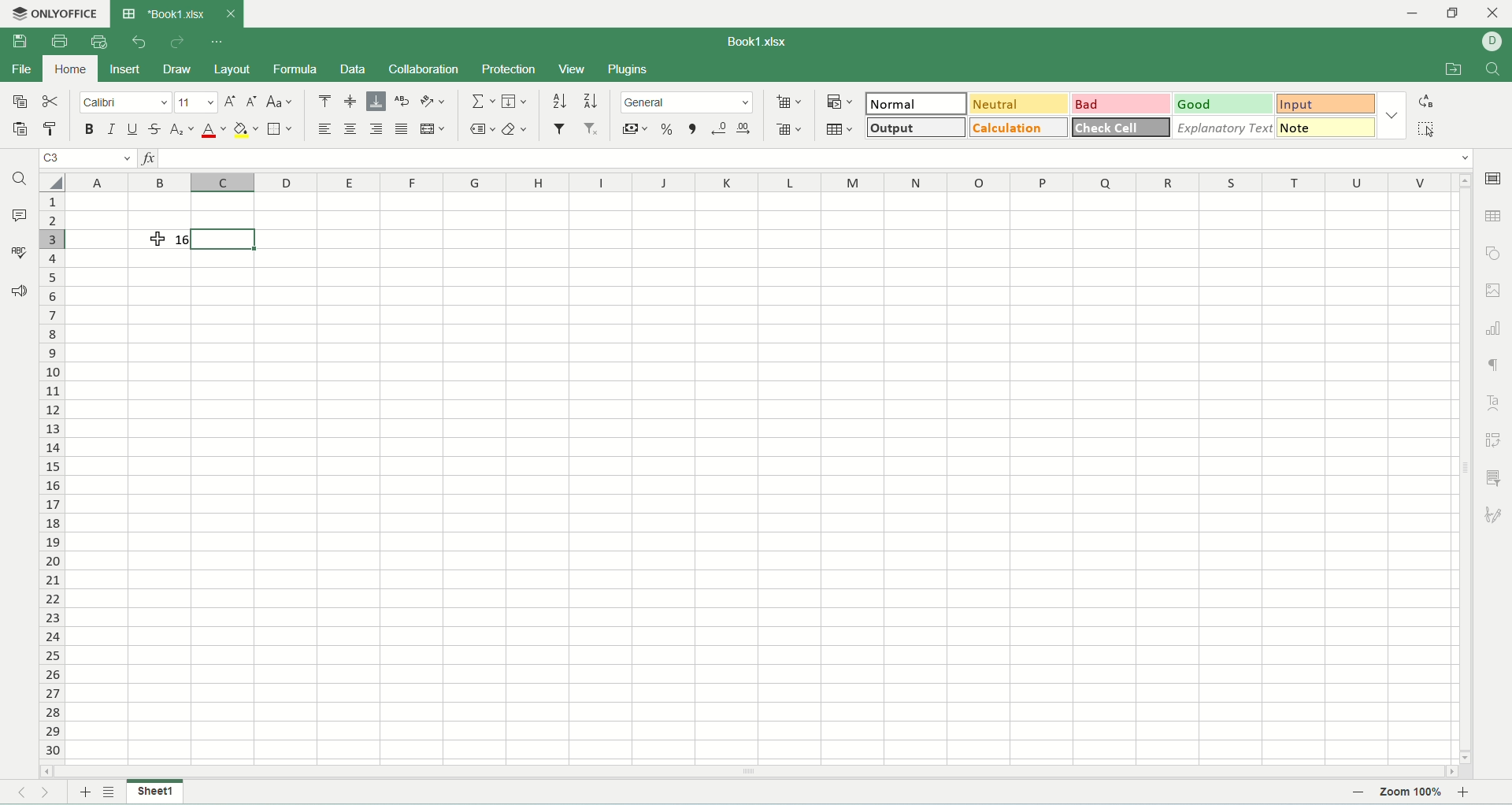 The image size is (1512, 805). Describe the element at coordinates (424, 69) in the screenshot. I see `collaboration` at that location.